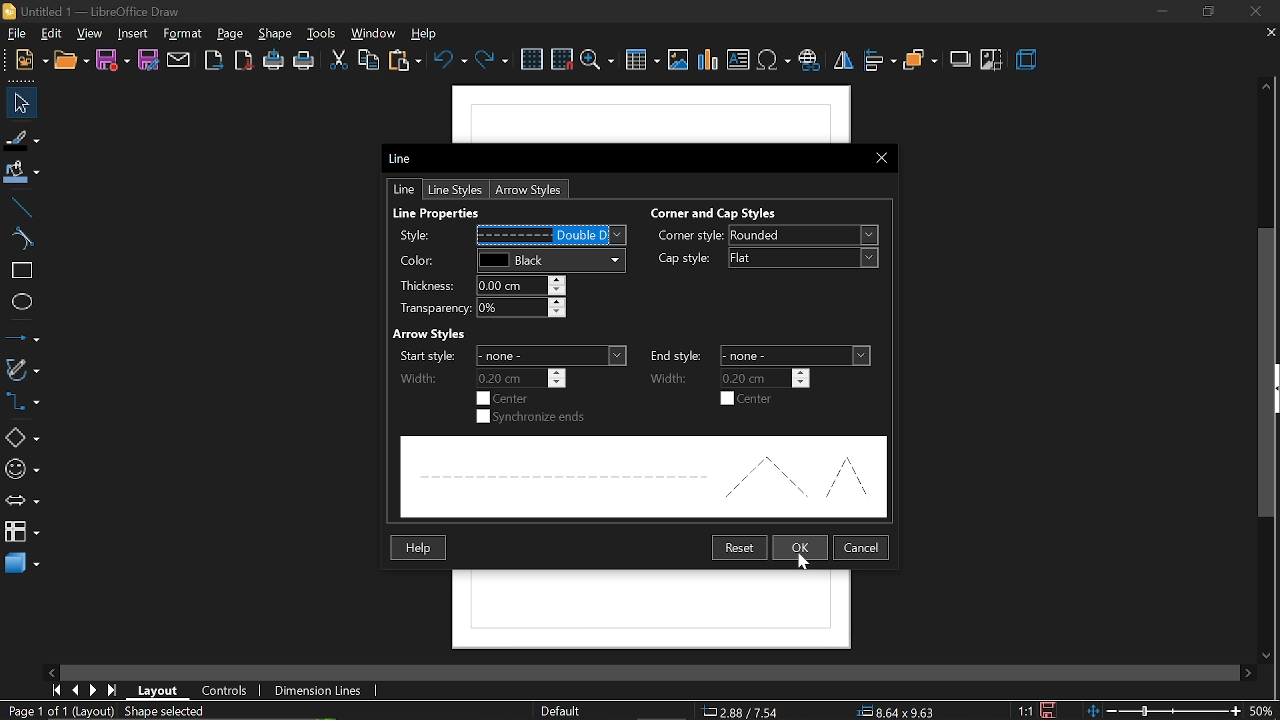 The width and height of the screenshot is (1280, 720). Describe the element at coordinates (862, 548) in the screenshot. I see `cancel` at that location.